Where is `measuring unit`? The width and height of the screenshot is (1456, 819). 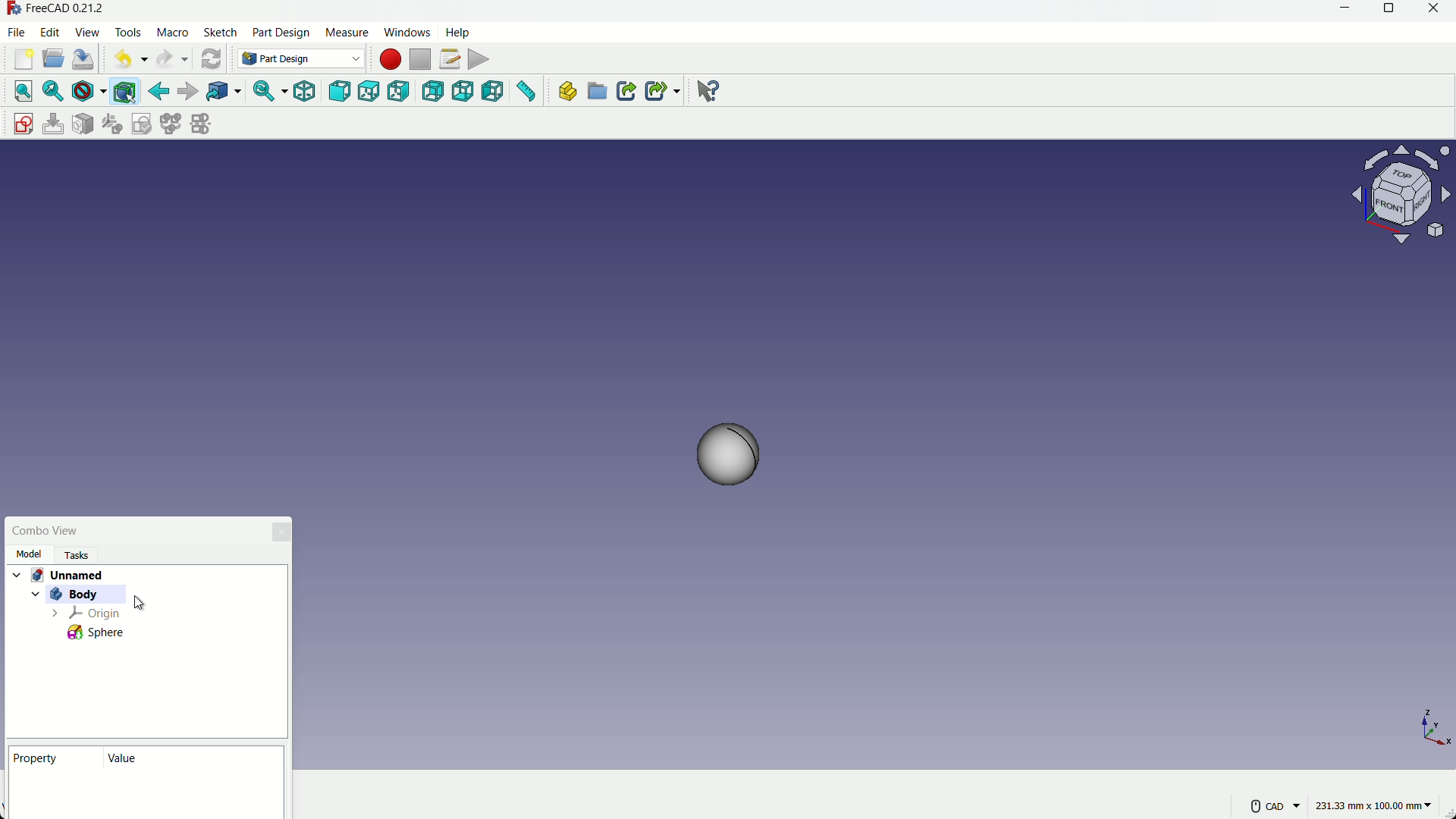
measuring unit is located at coordinates (1376, 804).